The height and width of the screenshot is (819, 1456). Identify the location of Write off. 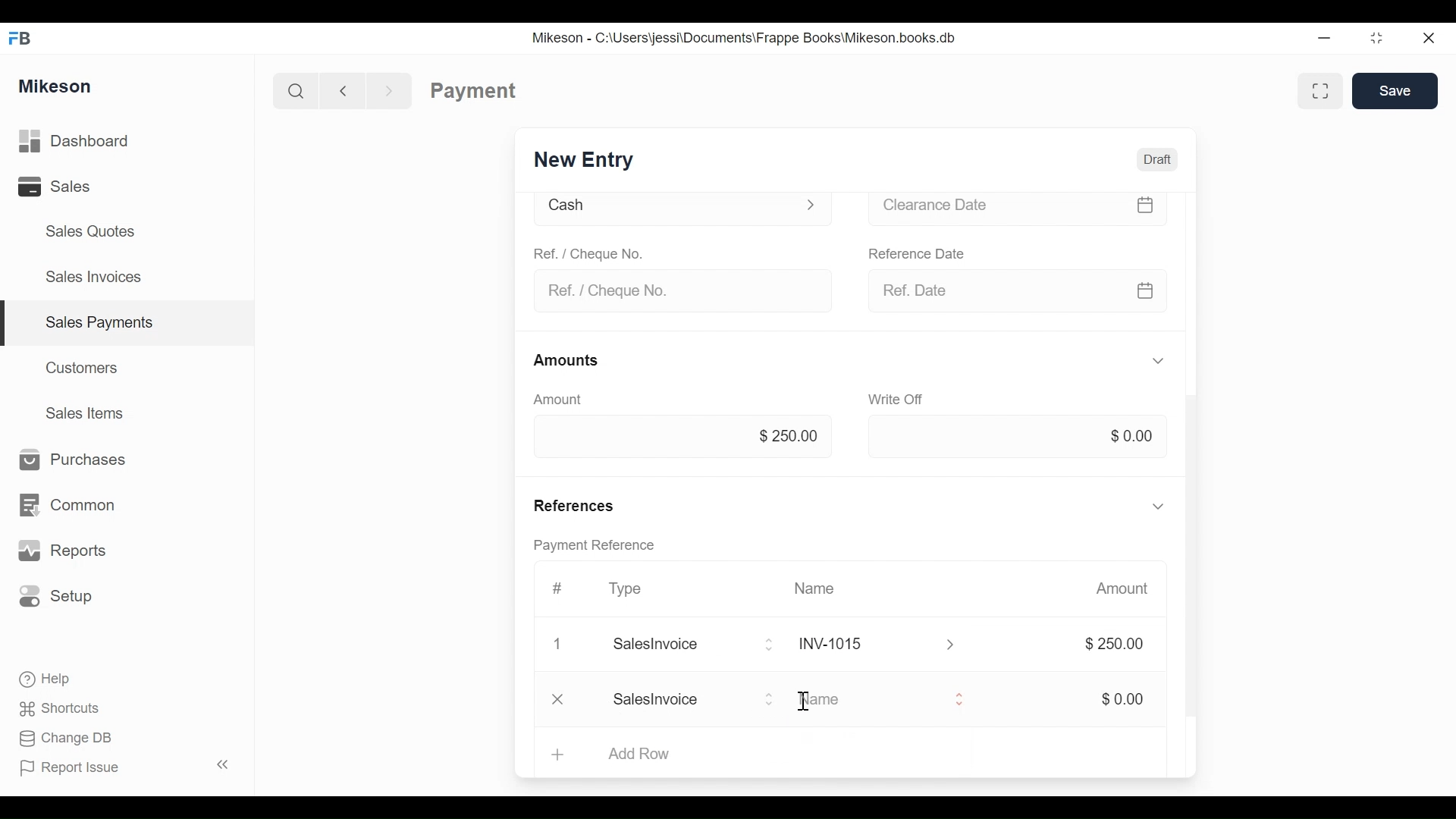
(898, 401).